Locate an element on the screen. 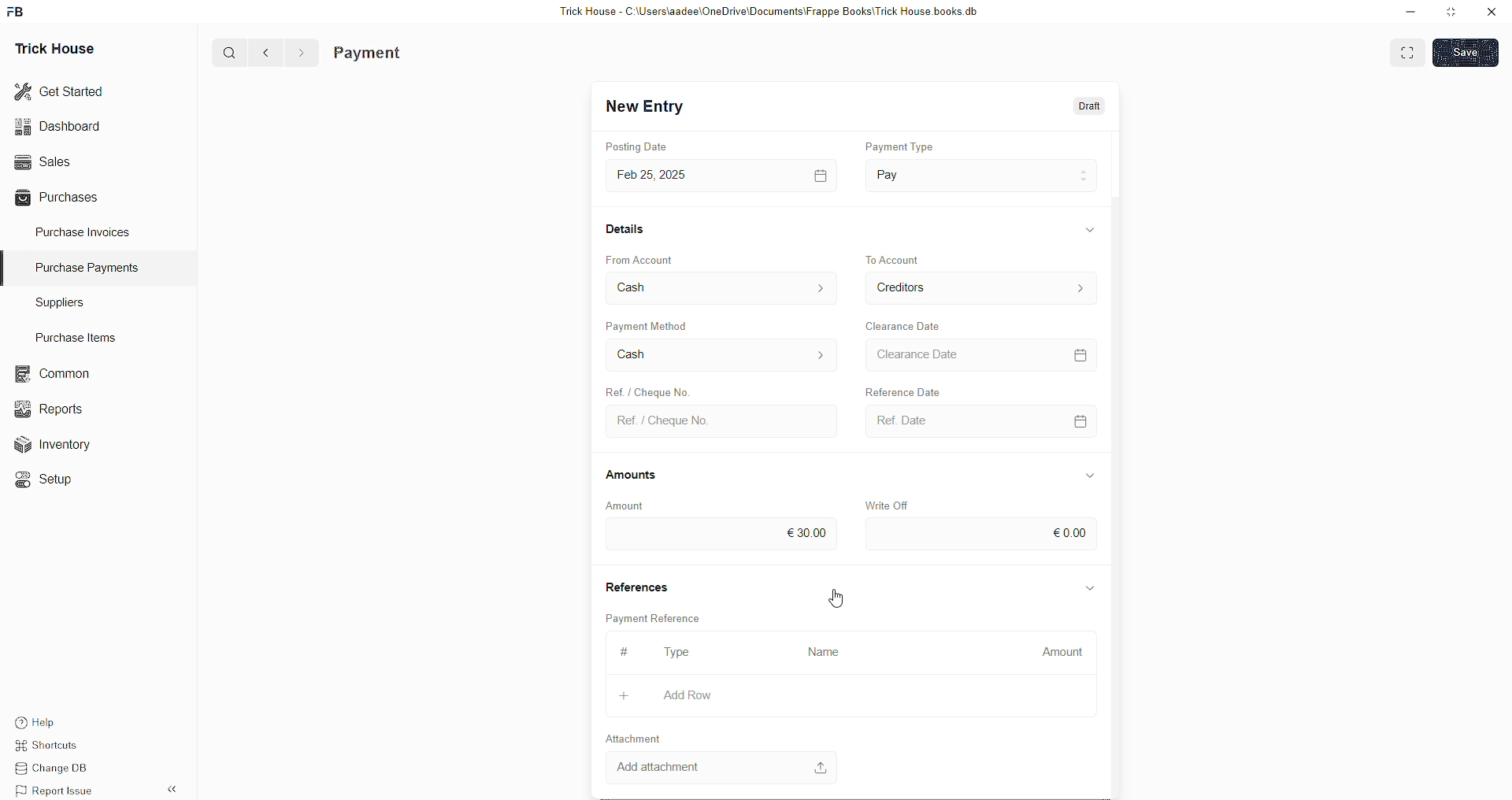 The width and height of the screenshot is (1512, 800). Purchase Invoice is located at coordinates (406, 53).